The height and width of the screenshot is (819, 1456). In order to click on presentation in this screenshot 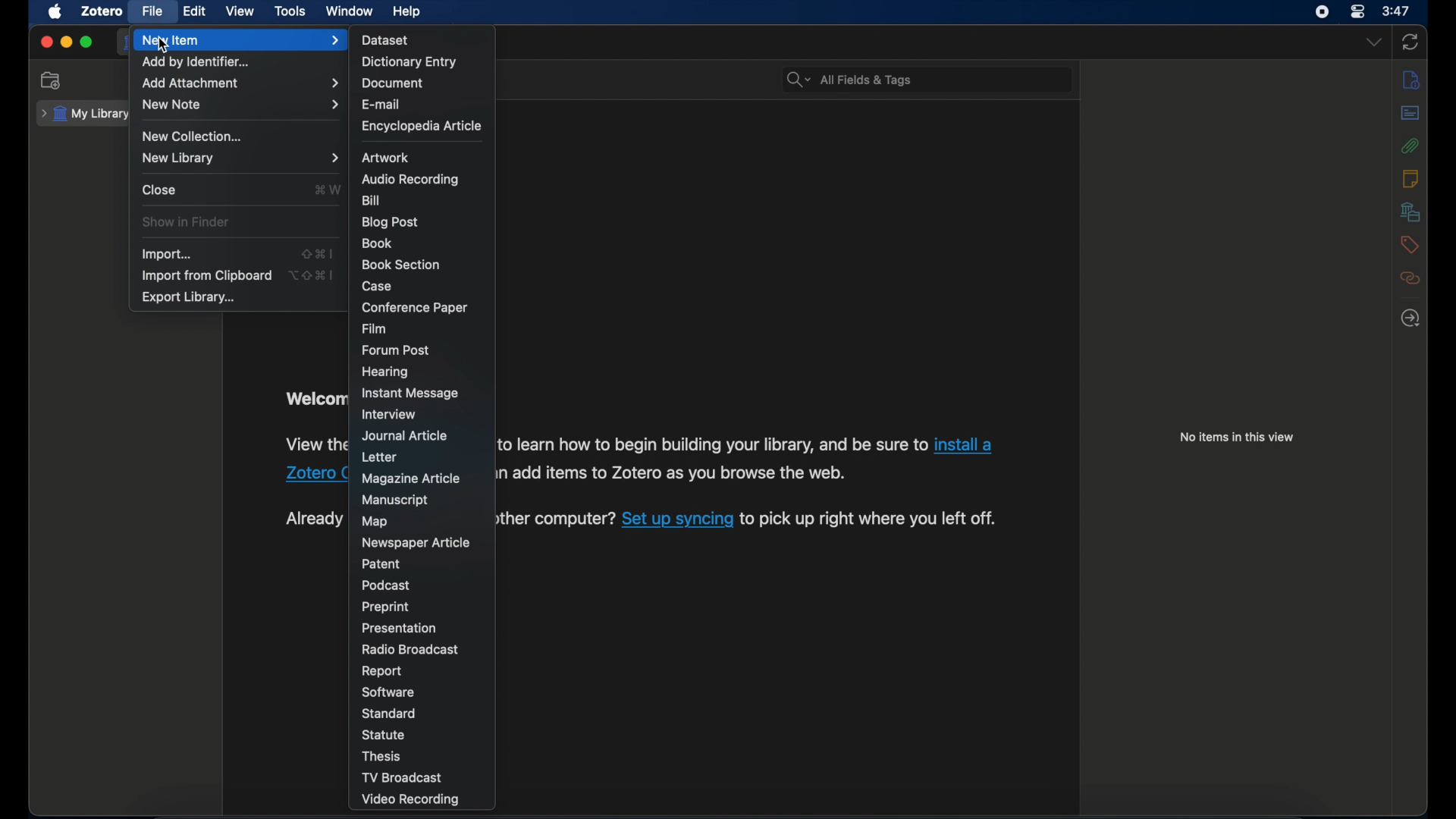, I will do `click(400, 629)`.